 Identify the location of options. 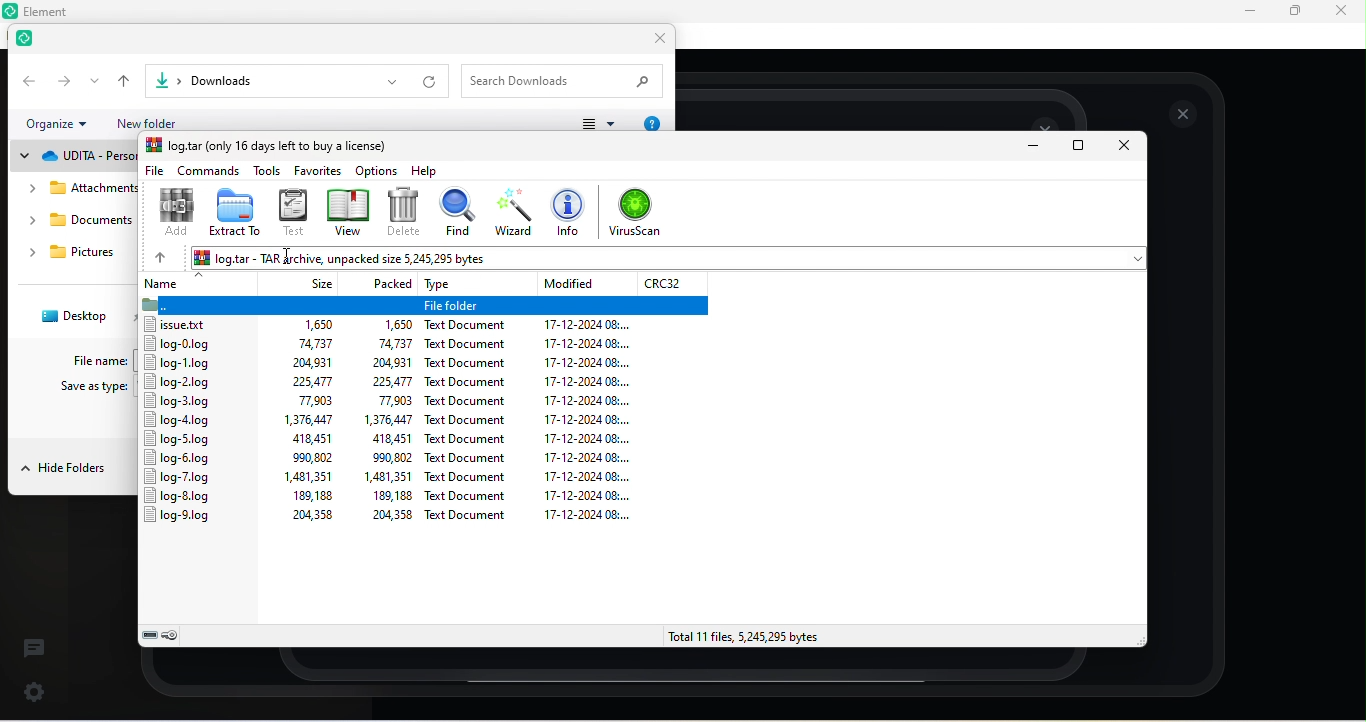
(376, 172).